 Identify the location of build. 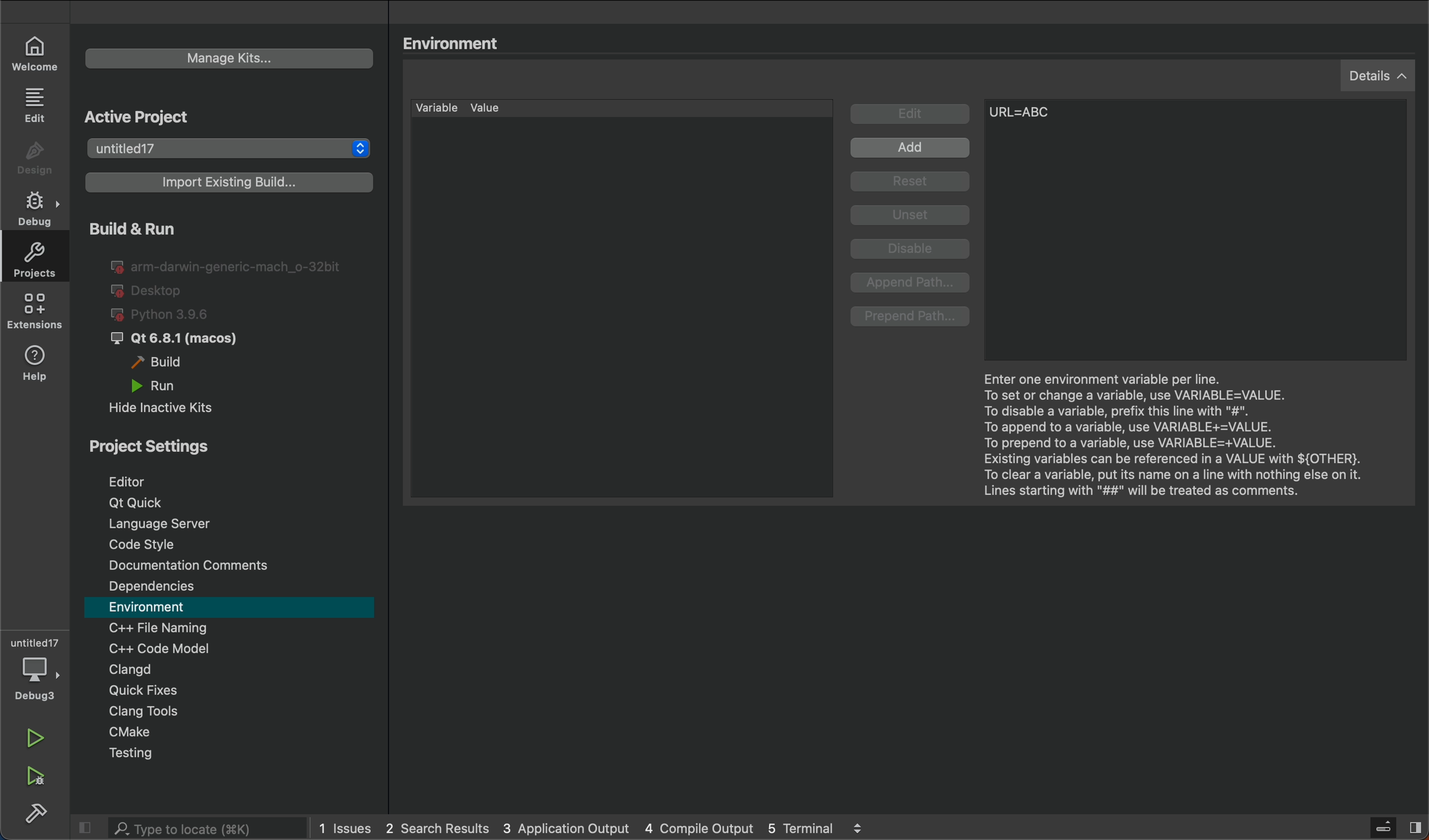
(166, 363).